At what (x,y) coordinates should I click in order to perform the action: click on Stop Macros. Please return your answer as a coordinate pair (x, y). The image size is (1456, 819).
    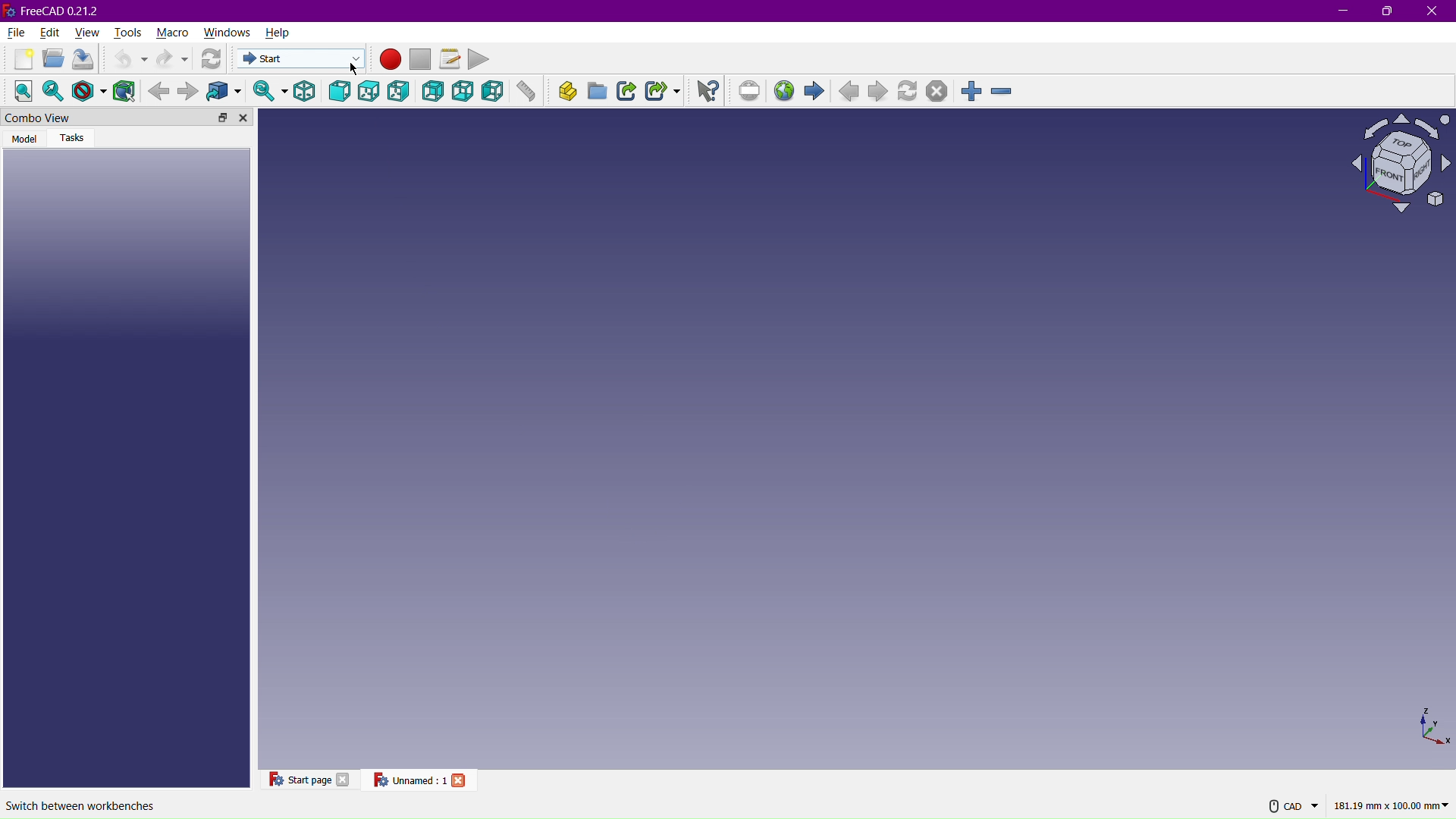
    Looking at the image, I should click on (419, 60).